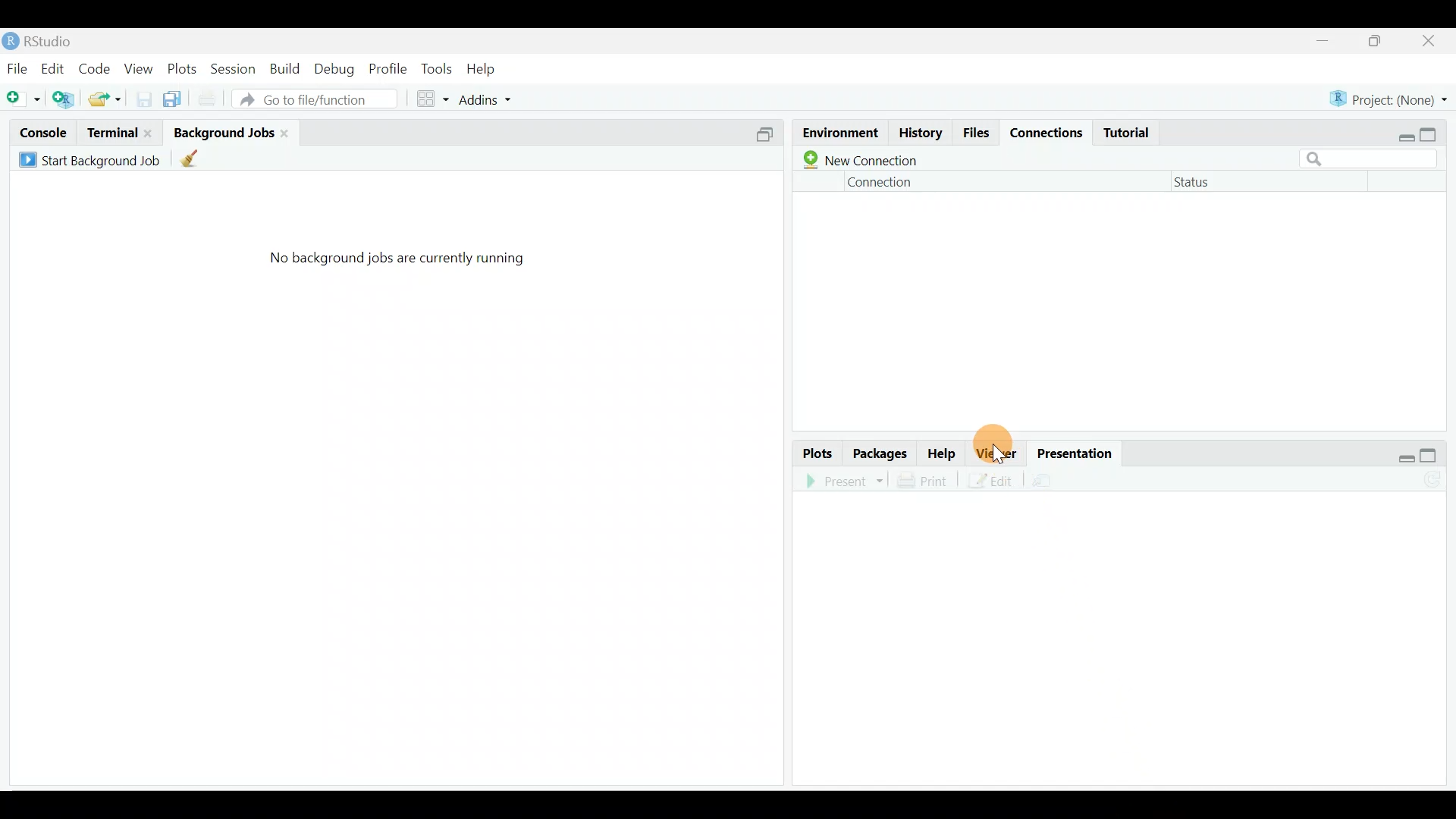 Image resolution: width=1456 pixels, height=819 pixels. What do you see at coordinates (1326, 42) in the screenshot?
I see `Minimize` at bounding box center [1326, 42].